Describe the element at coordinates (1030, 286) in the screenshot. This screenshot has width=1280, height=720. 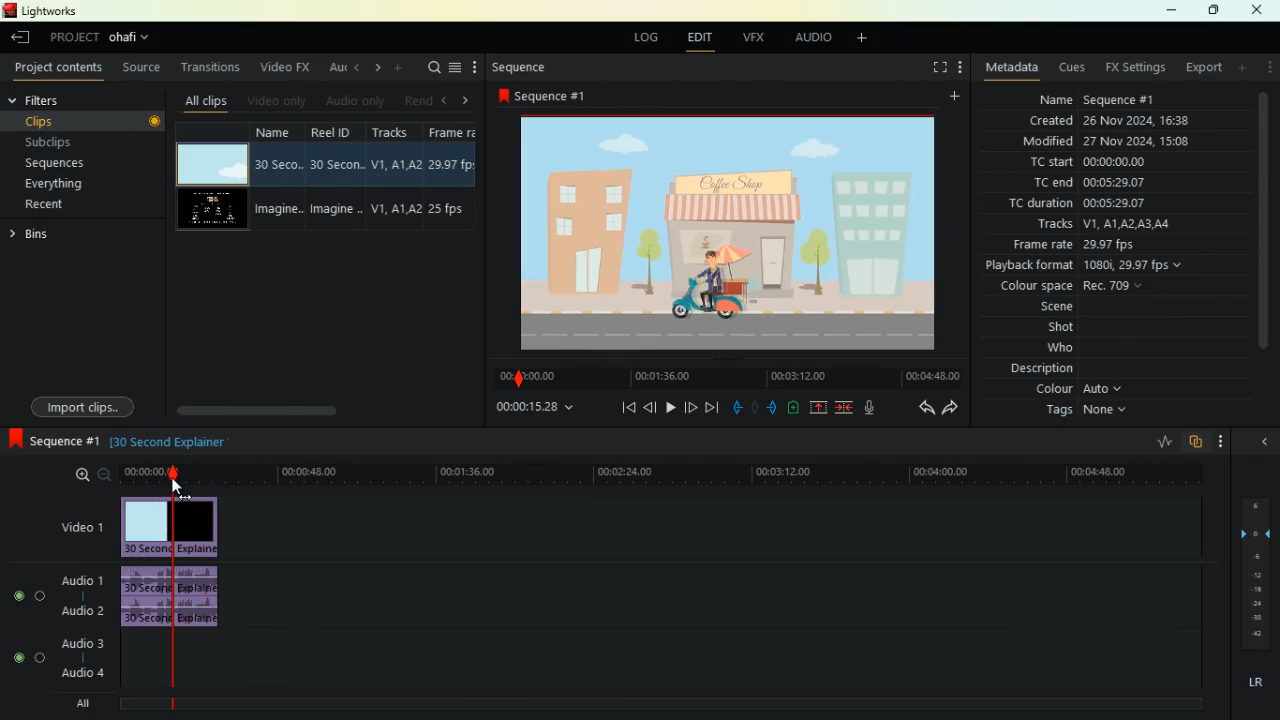
I see `colour space` at that location.